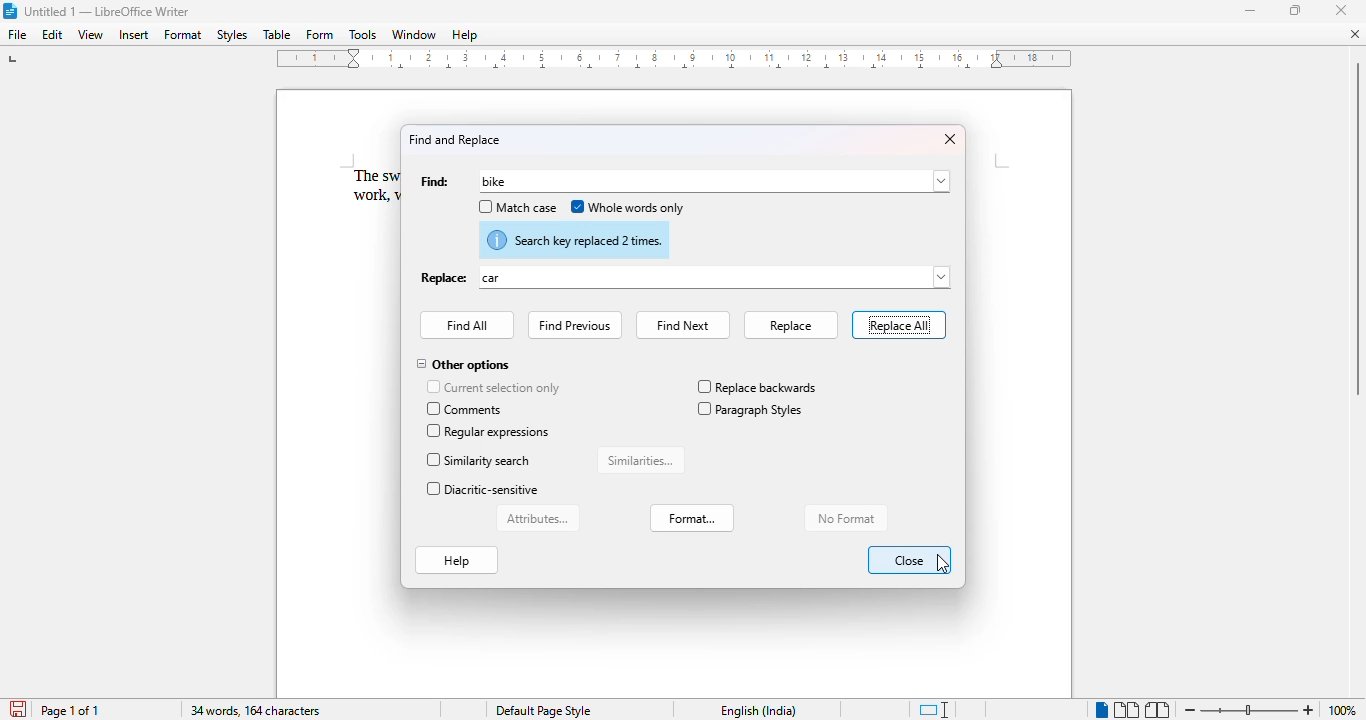 This screenshot has height=720, width=1366. What do you see at coordinates (467, 409) in the screenshot?
I see `comments` at bounding box center [467, 409].